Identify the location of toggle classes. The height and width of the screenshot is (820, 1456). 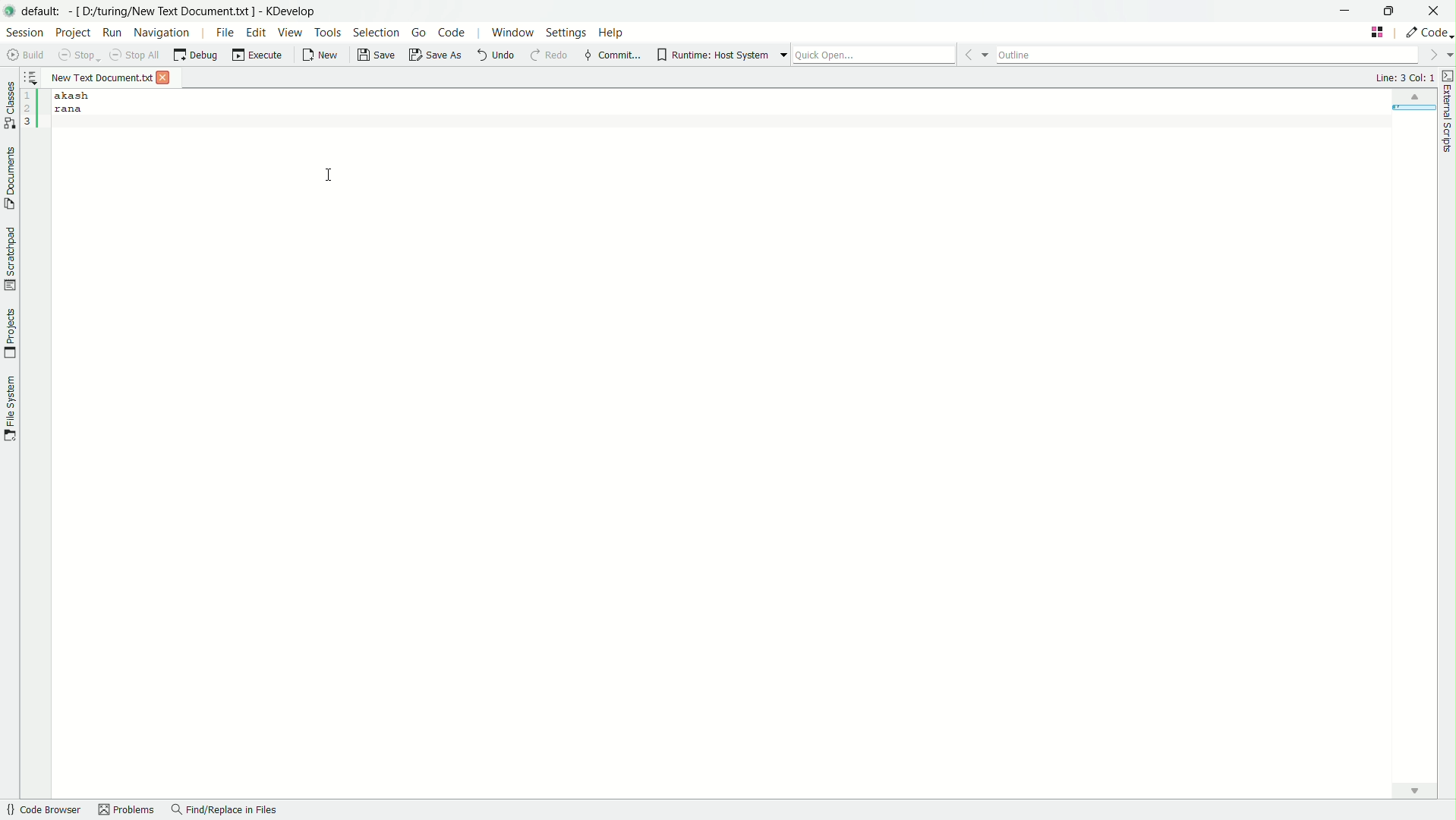
(9, 101).